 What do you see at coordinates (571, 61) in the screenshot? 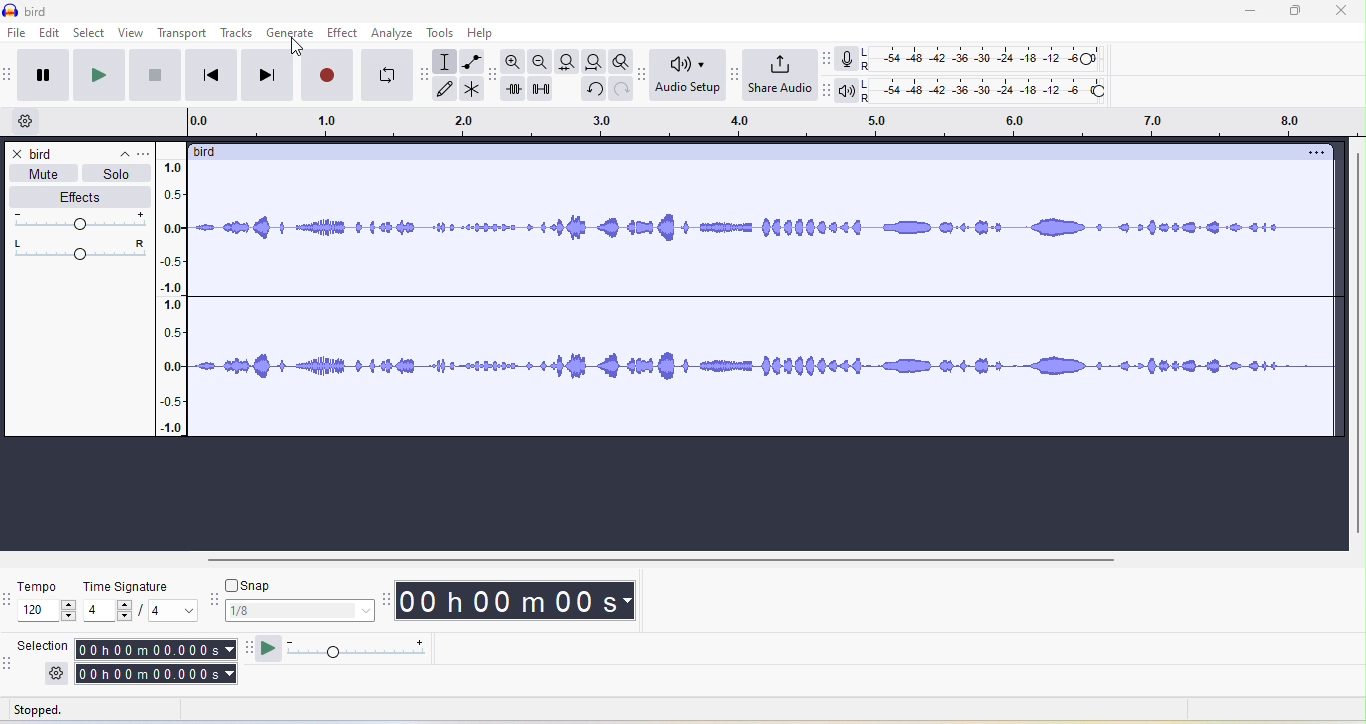
I see `fit selection to width` at bounding box center [571, 61].